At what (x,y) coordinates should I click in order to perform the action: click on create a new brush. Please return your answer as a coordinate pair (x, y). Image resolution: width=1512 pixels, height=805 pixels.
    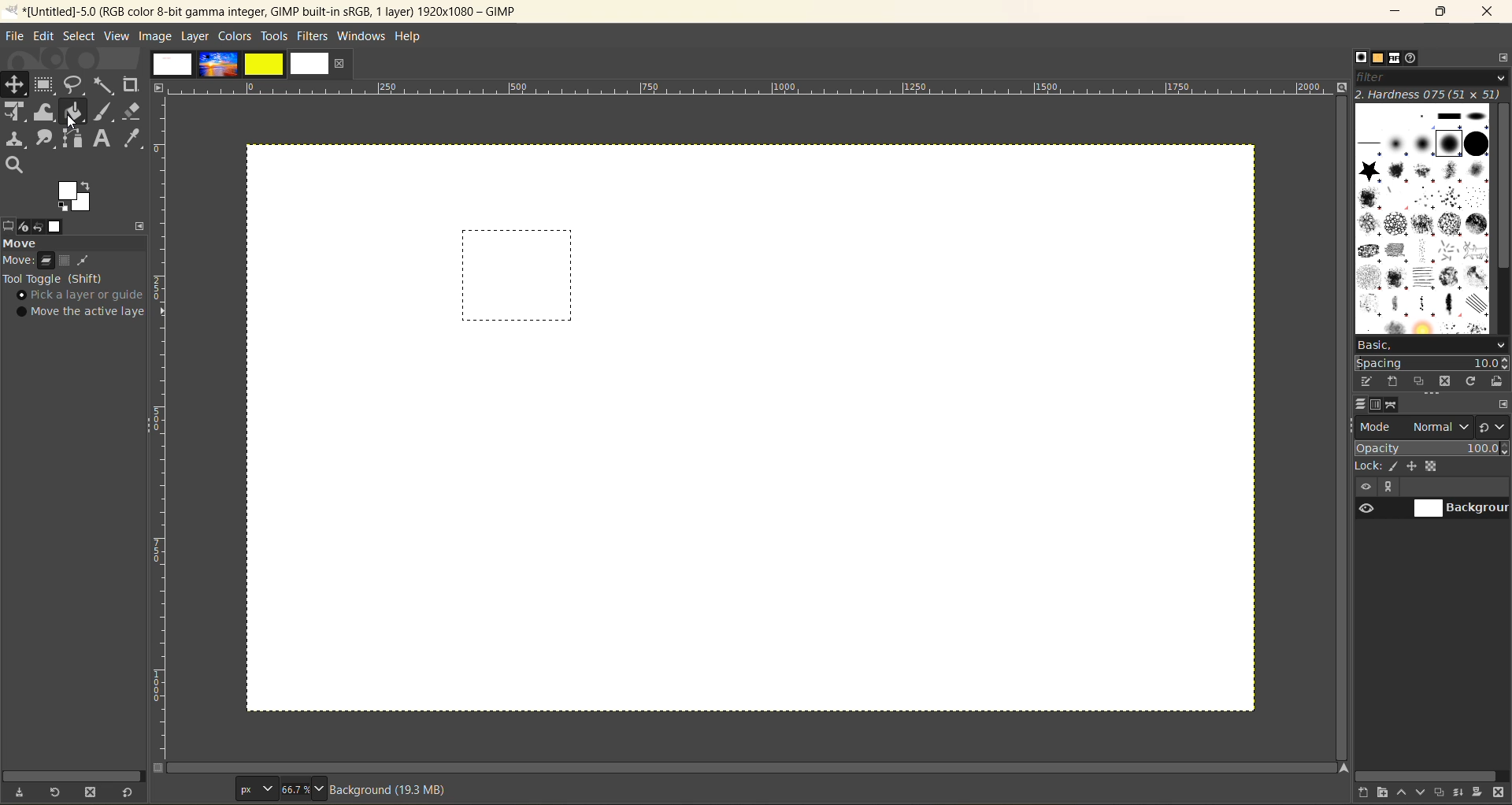
    Looking at the image, I should click on (1395, 380).